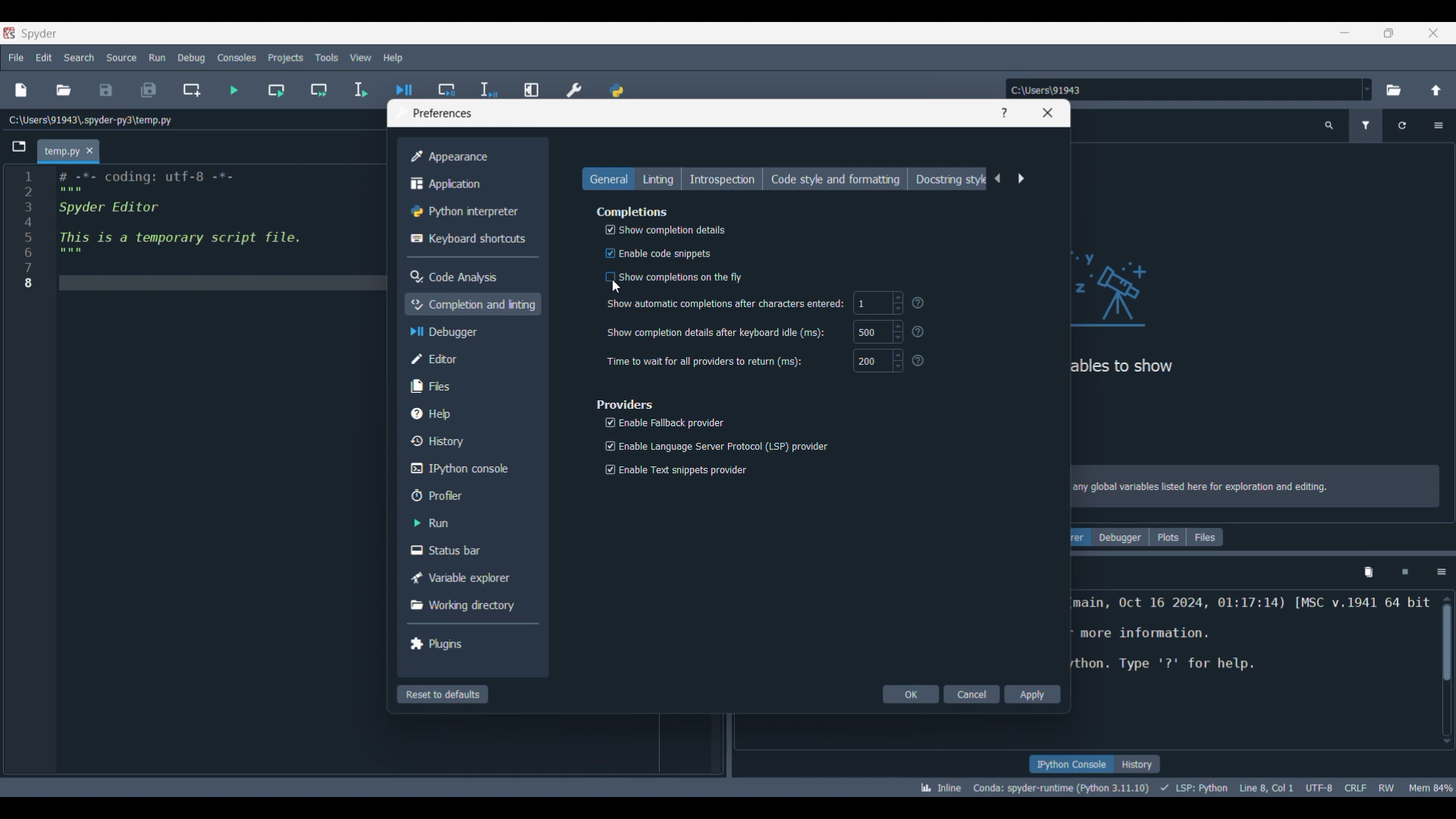 This screenshot has height=819, width=1456. Describe the element at coordinates (469, 184) in the screenshot. I see `Application` at that location.